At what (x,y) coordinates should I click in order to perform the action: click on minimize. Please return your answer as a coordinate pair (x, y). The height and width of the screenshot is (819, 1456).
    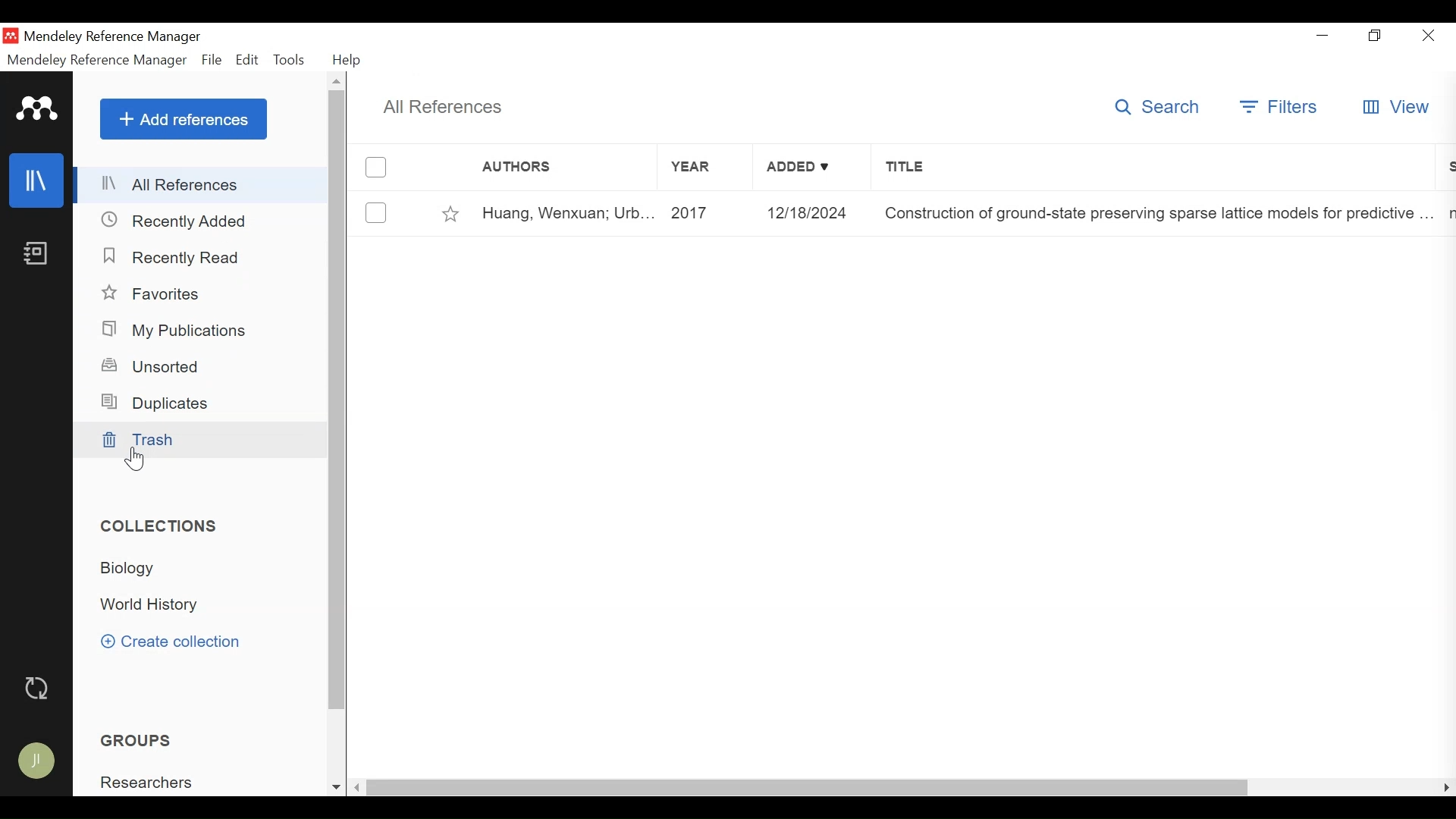
    Looking at the image, I should click on (1323, 36).